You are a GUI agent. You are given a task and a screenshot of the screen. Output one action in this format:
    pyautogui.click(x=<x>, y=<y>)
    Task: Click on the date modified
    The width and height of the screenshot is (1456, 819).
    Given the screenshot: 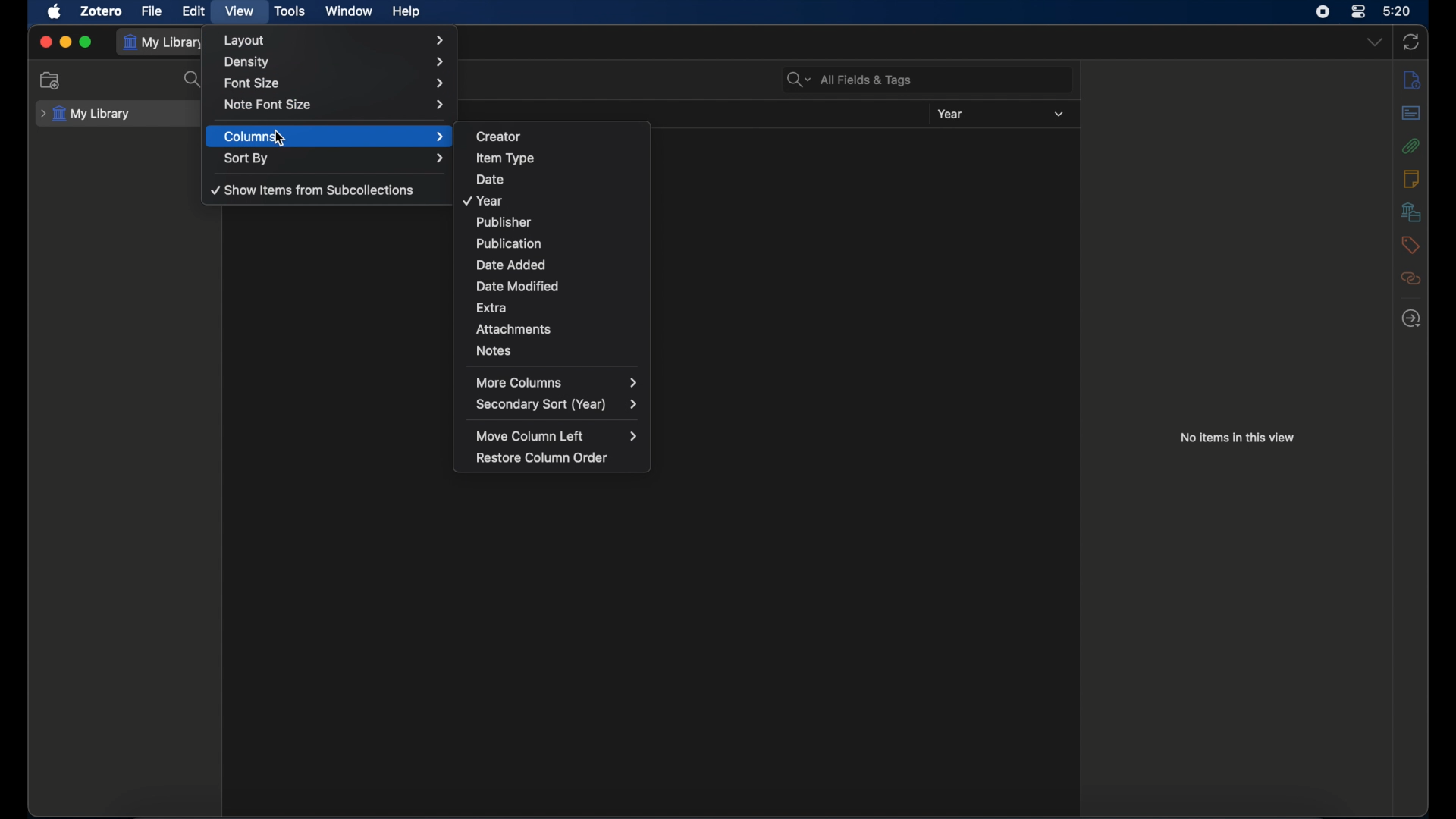 What is the action you would take?
    pyautogui.click(x=559, y=284)
    